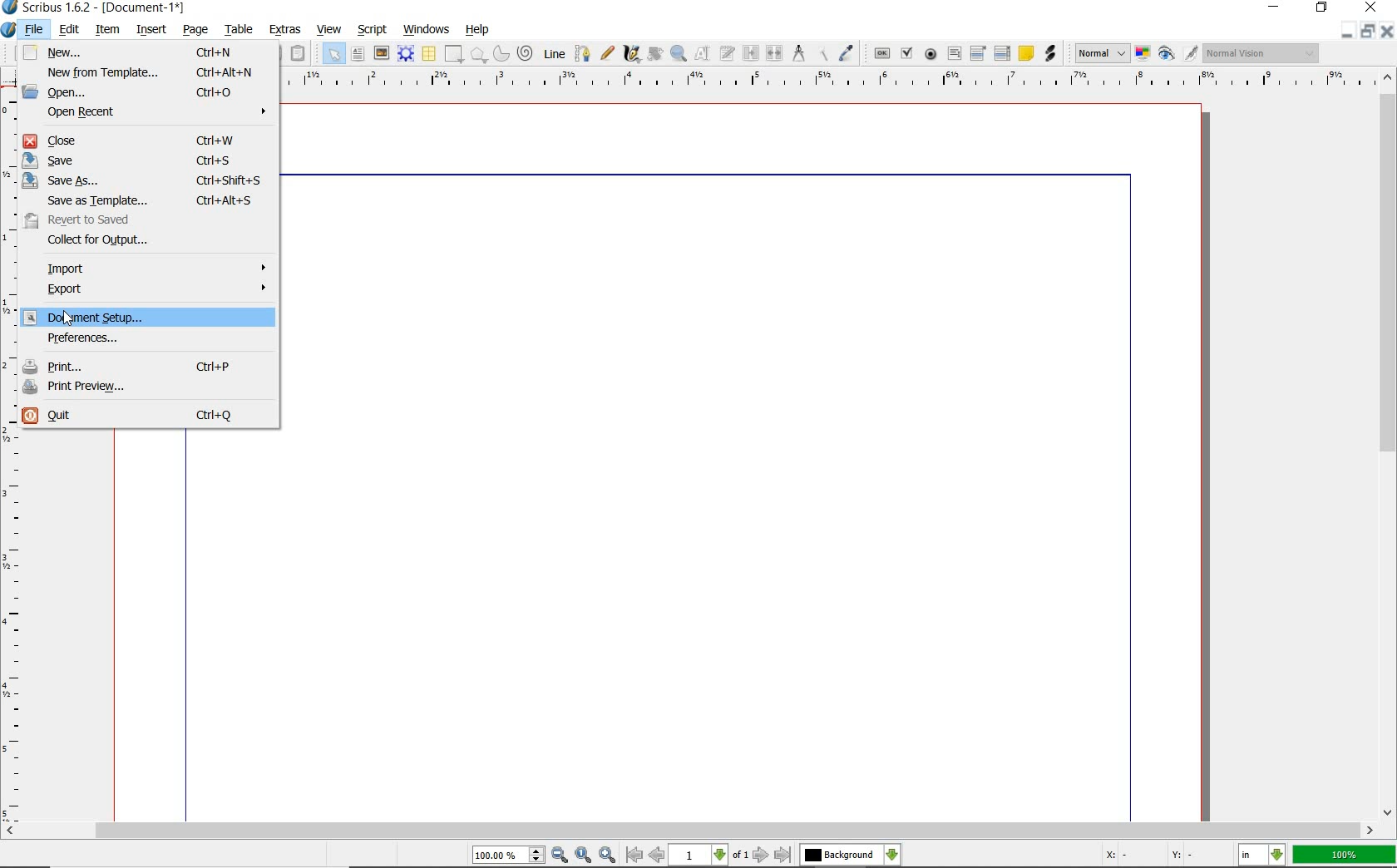 This screenshot has height=868, width=1397. Describe the element at coordinates (155, 291) in the screenshot. I see `EXPORT` at that location.